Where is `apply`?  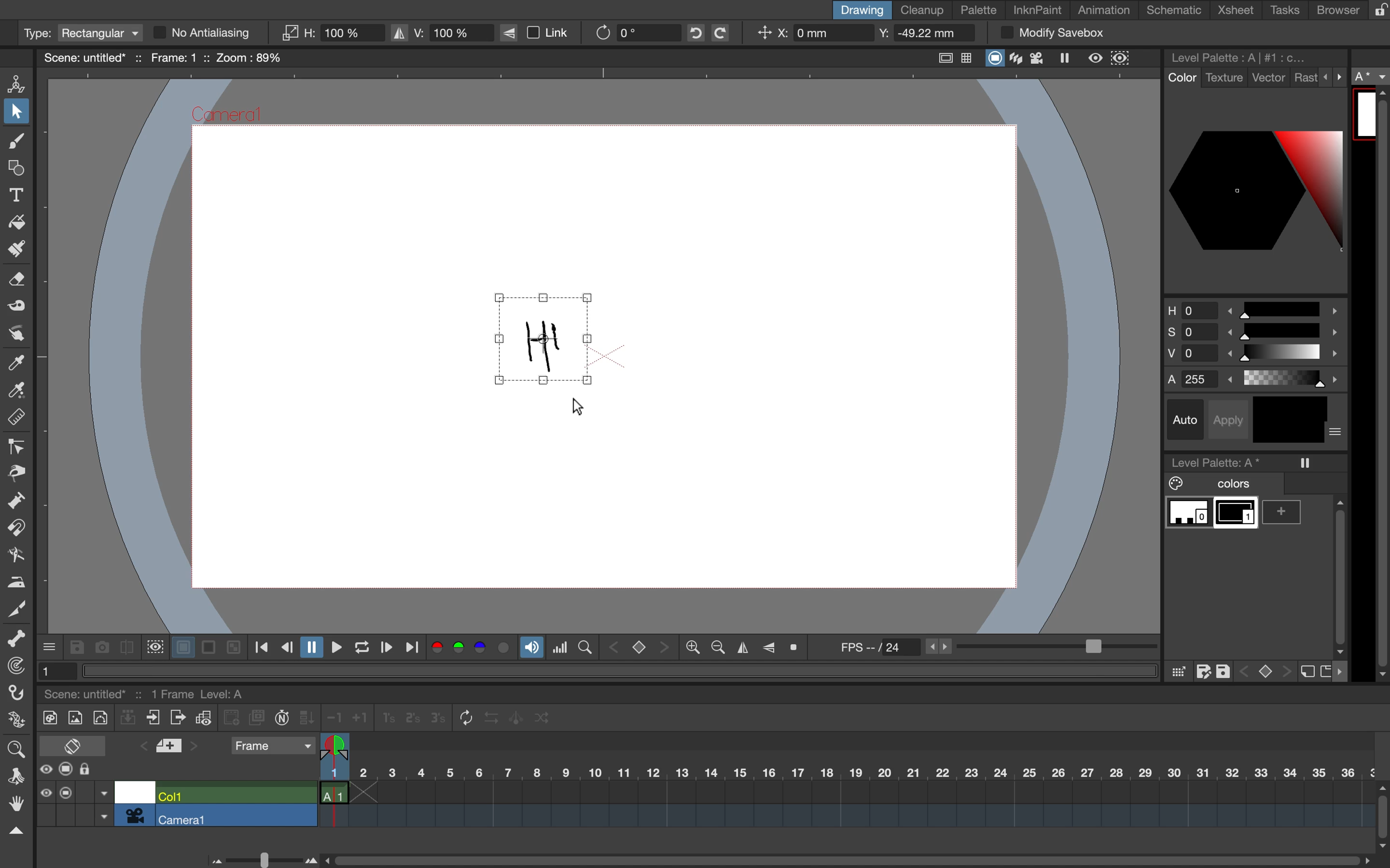 apply is located at coordinates (1232, 418).